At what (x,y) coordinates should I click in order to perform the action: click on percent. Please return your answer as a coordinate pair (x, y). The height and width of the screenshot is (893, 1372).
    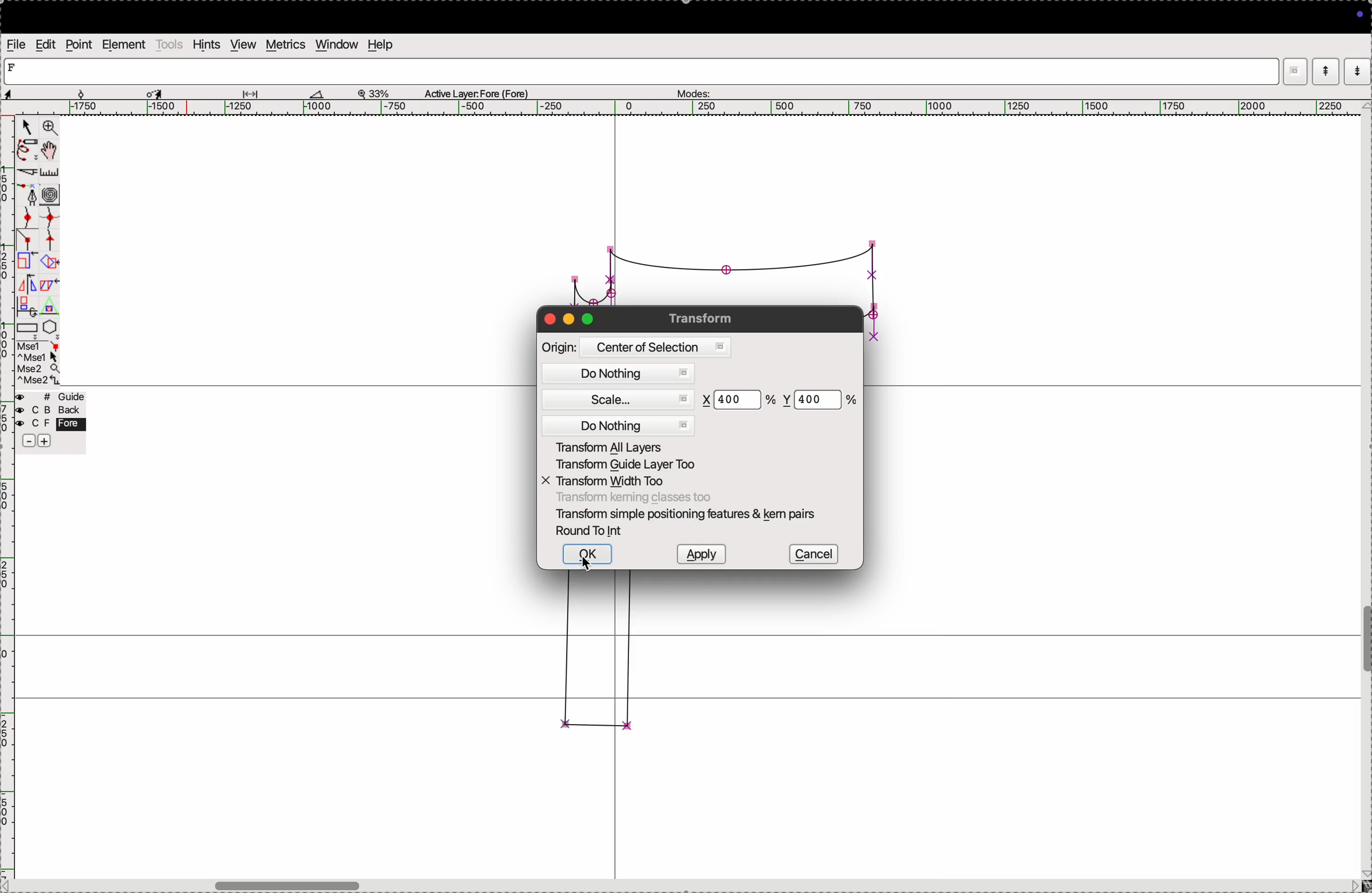
    Looking at the image, I should click on (850, 400).